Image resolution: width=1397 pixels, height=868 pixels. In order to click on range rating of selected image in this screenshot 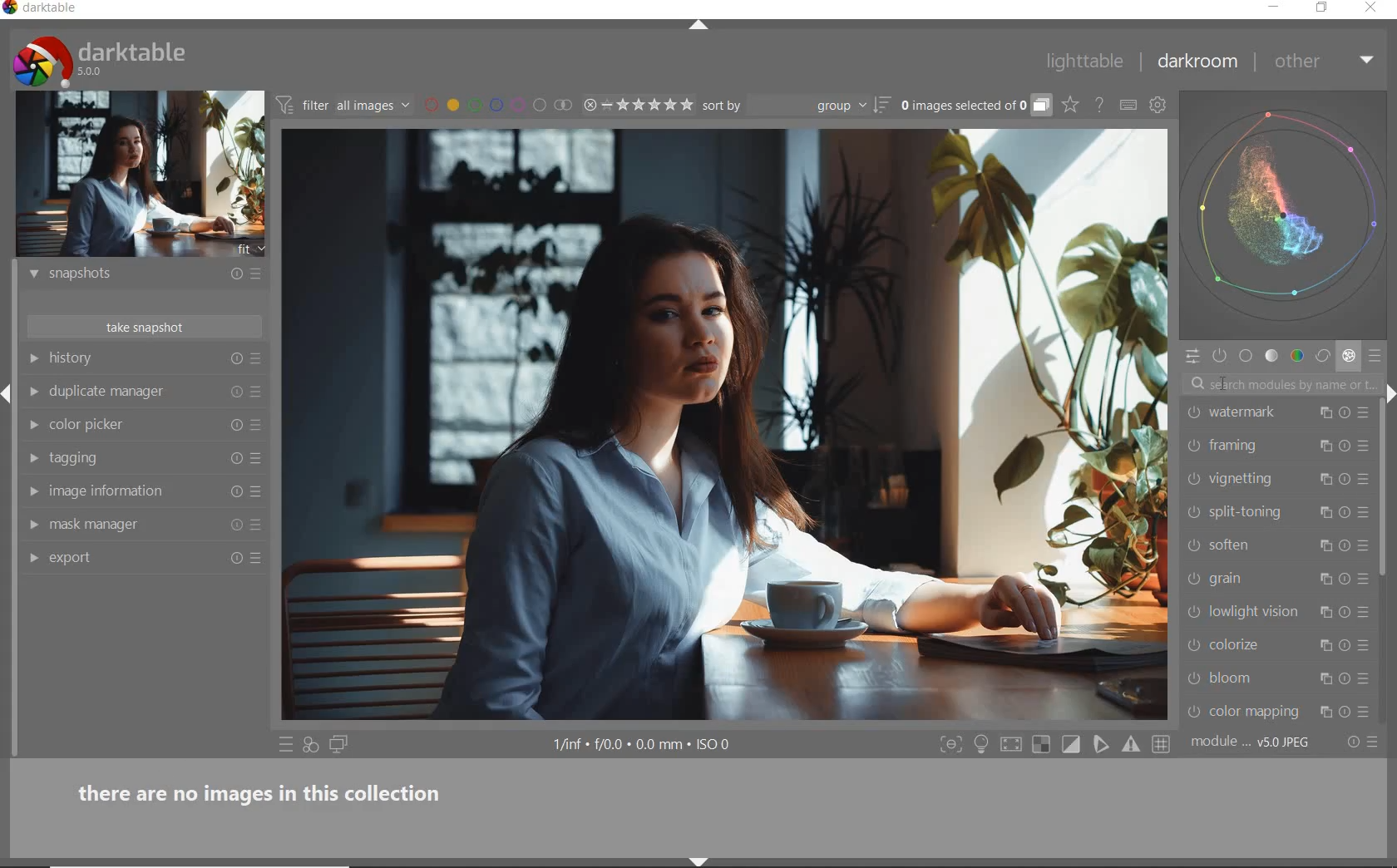, I will do `click(637, 106)`.